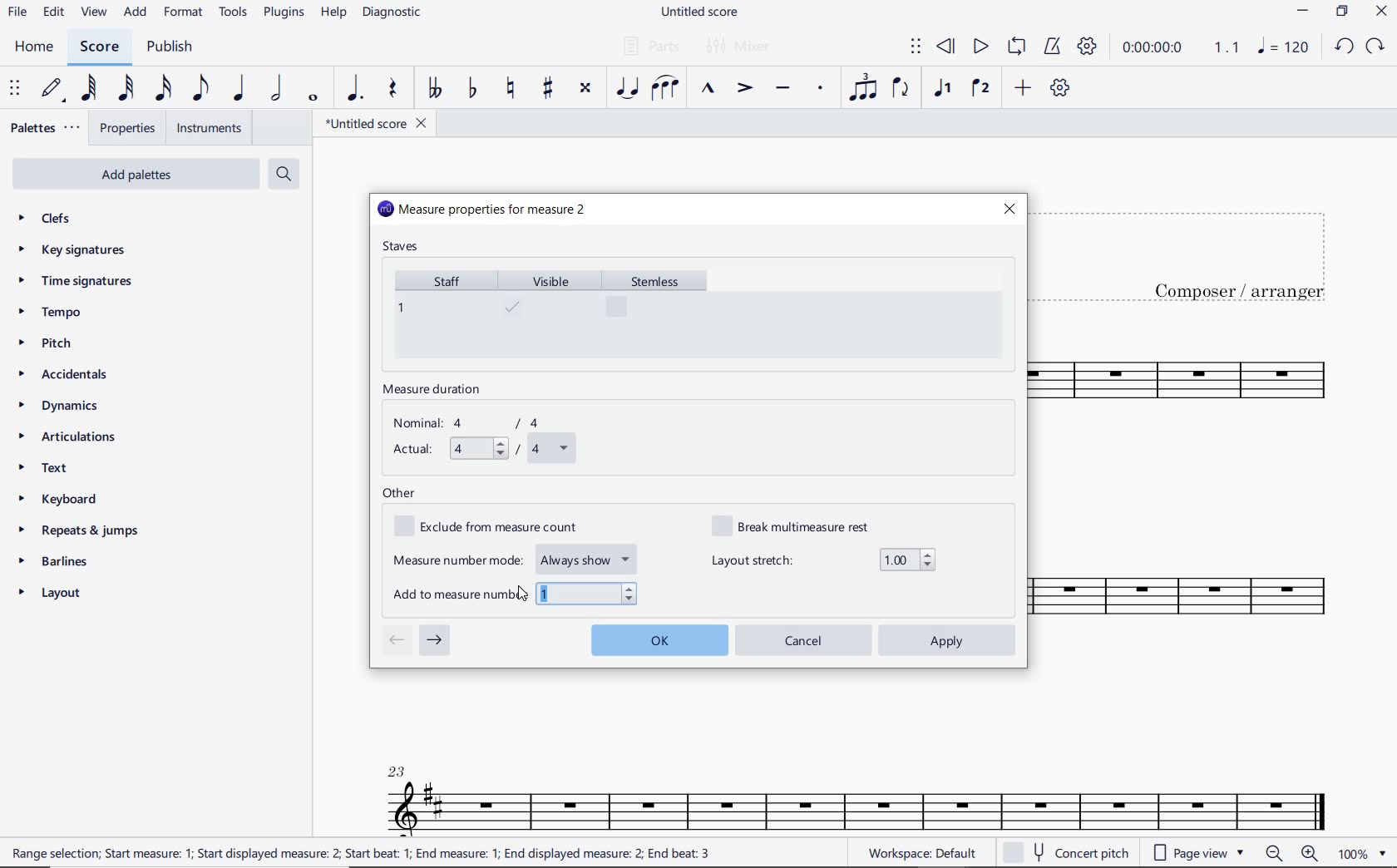  What do you see at coordinates (286, 175) in the screenshot?
I see `SEARCH PALETTES` at bounding box center [286, 175].